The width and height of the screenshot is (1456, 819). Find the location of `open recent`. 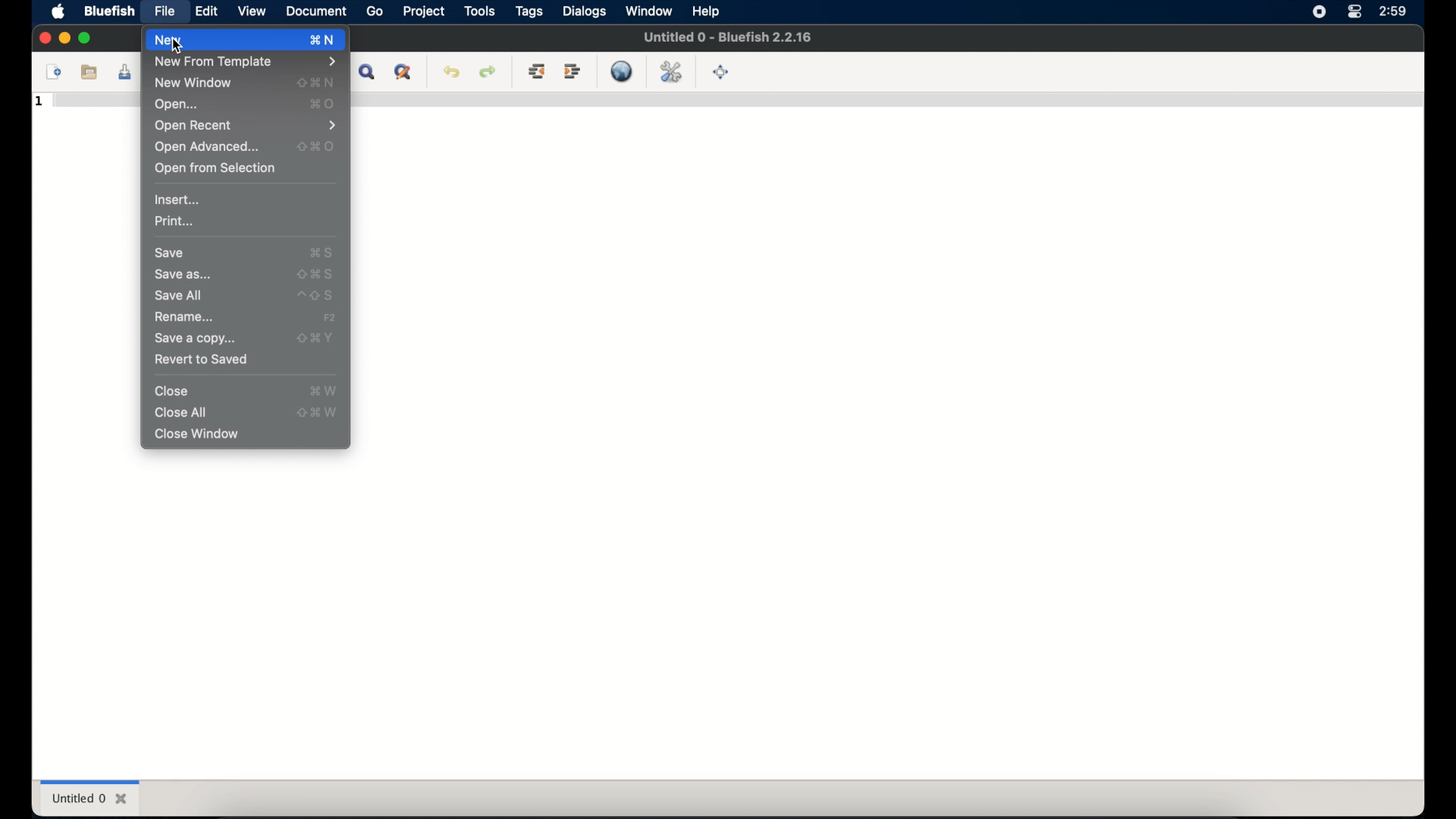

open recent is located at coordinates (247, 126).